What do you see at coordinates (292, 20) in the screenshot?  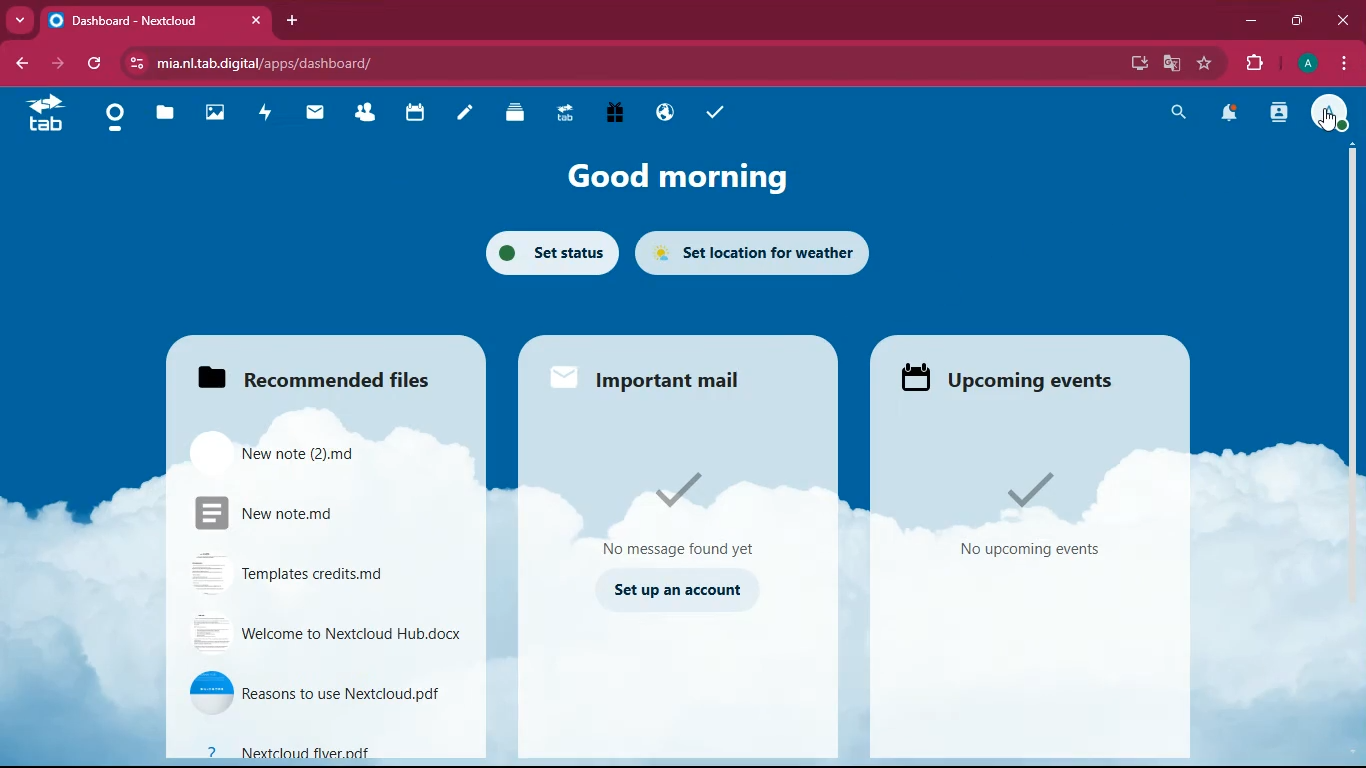 I see `add tab` at bounding box center [292, 20].